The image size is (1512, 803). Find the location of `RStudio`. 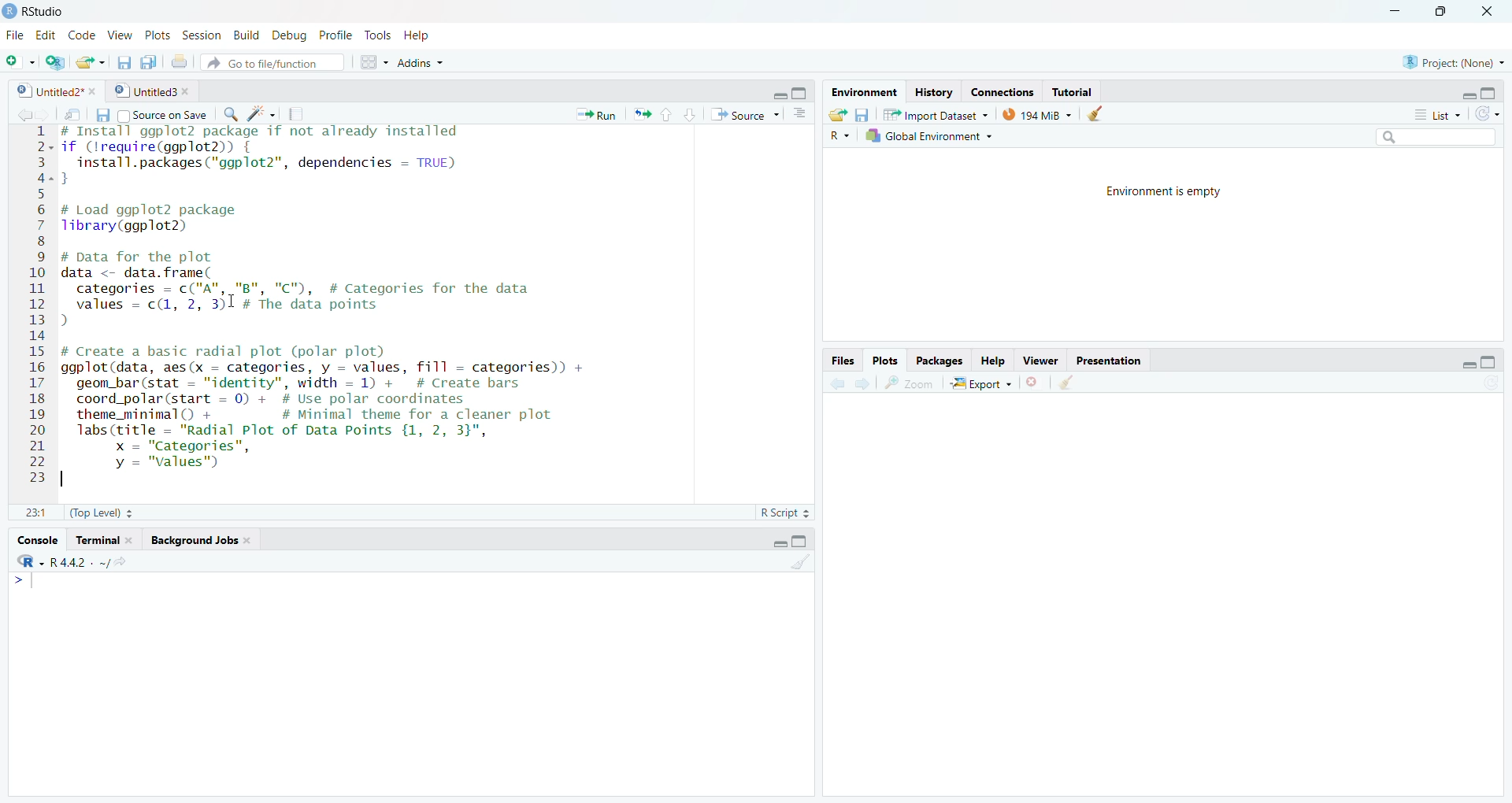

RStudio is located at coordinates (45, 11).